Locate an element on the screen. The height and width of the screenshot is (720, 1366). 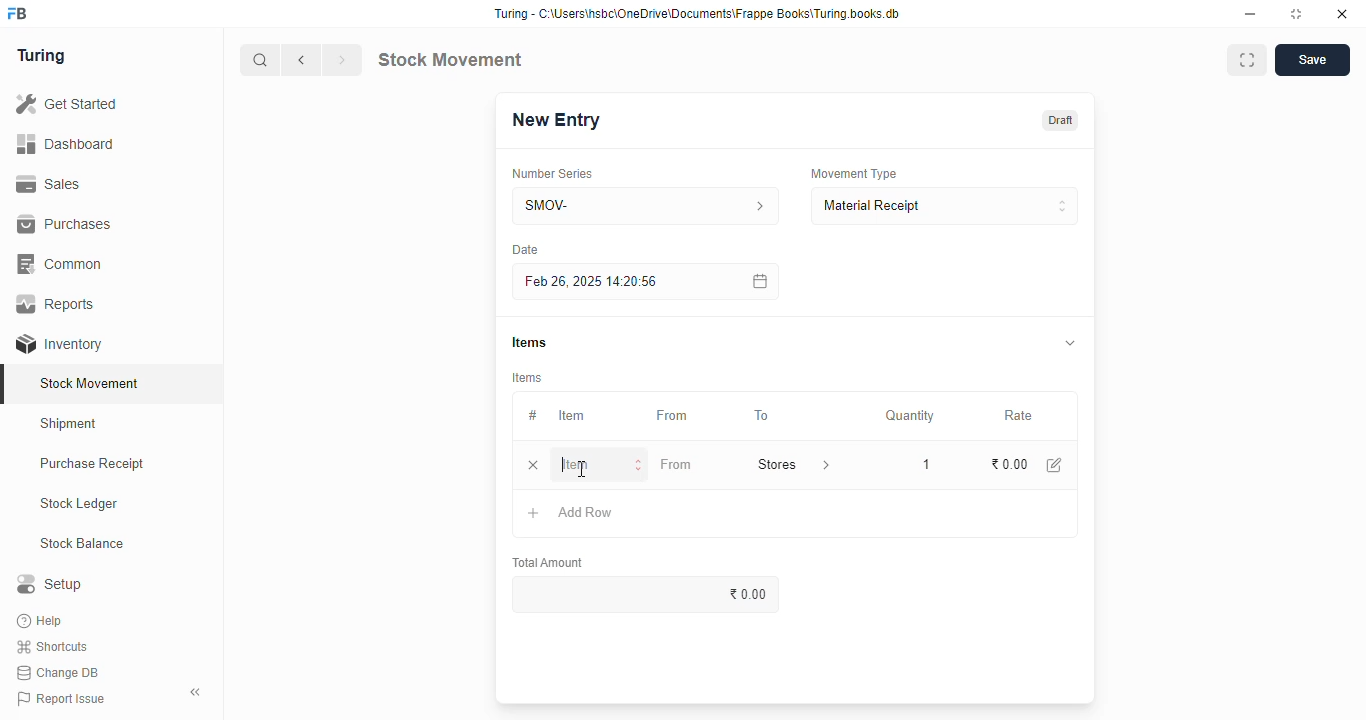
shipment is located at coordinates (69, 424).